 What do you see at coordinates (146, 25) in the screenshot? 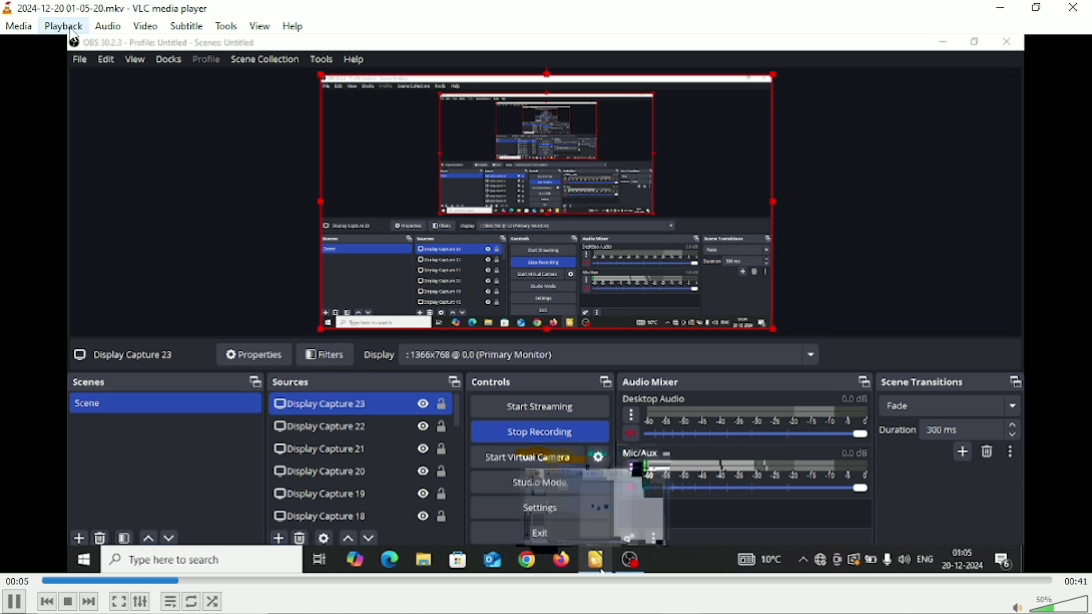
I see `Video` at bounding box center [146, 25].